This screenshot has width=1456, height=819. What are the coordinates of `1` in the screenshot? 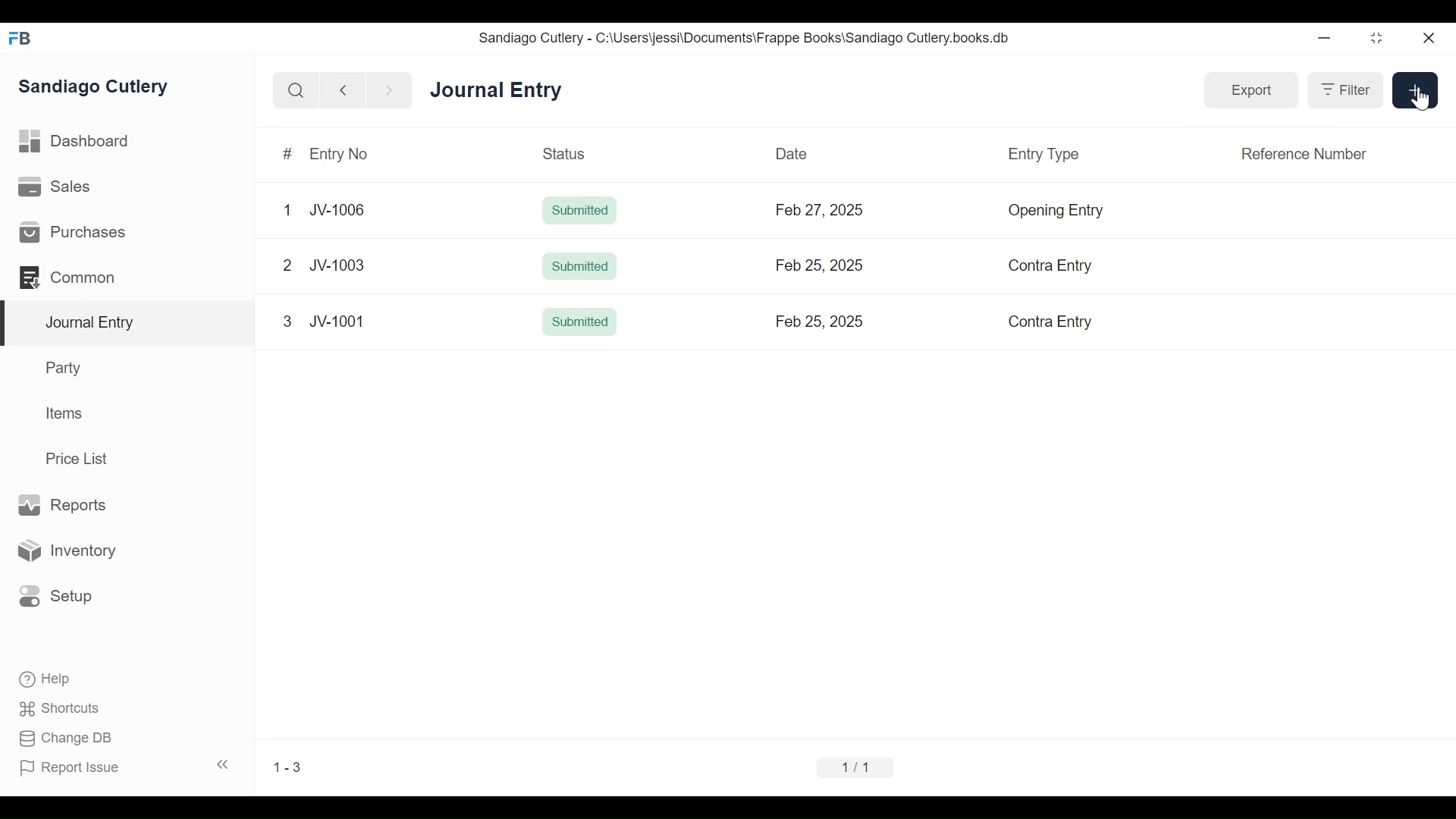 It's located at (289, 210).